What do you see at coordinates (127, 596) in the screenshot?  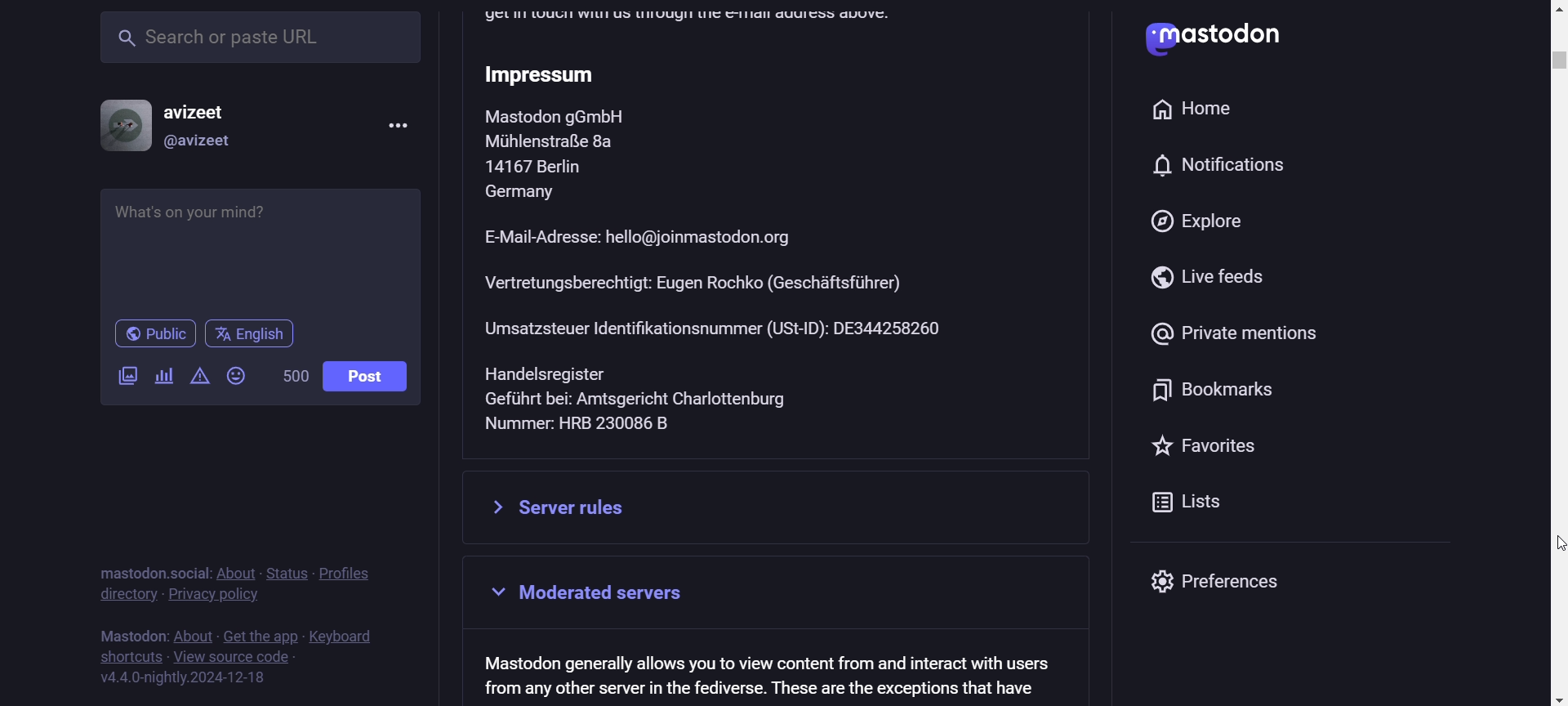 I see `directory` at bounding box center [127, 596].